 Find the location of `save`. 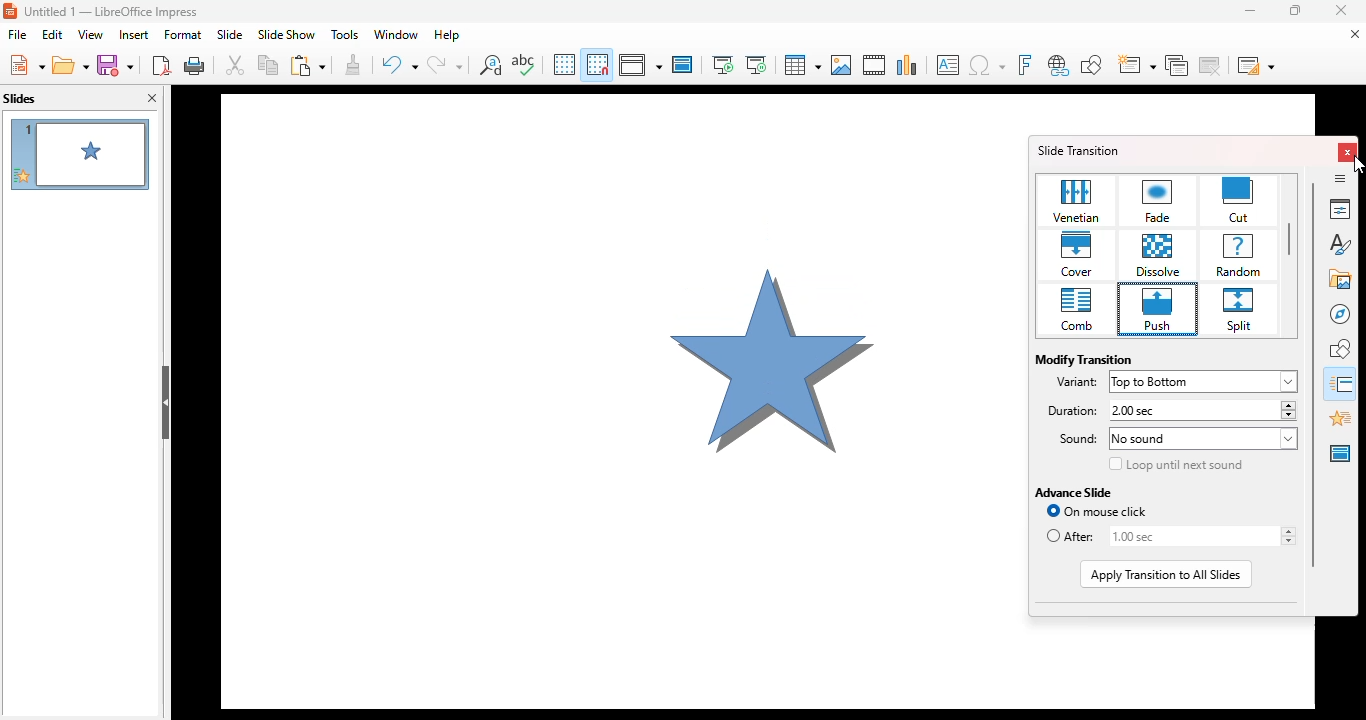

save is located at coordinates (115, 65).